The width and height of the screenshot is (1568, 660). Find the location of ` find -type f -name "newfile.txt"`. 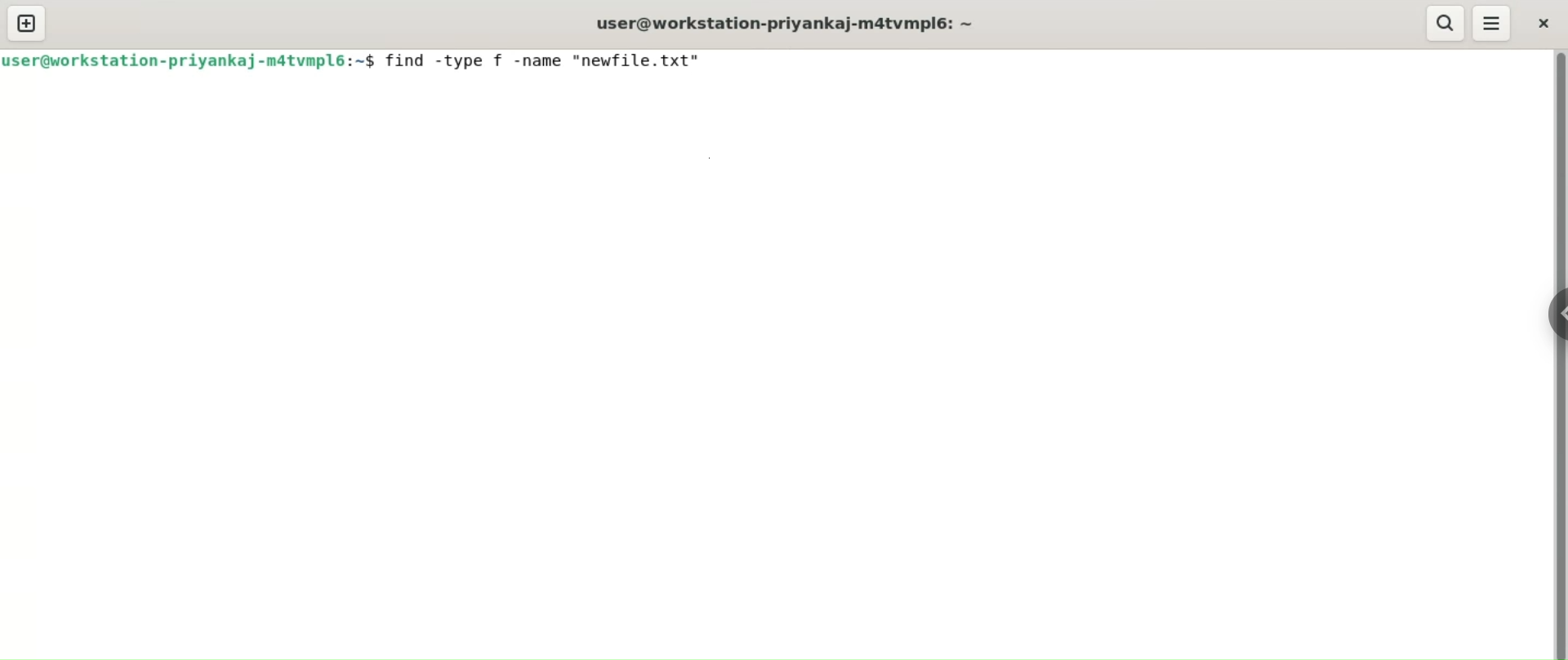

 find -type f -name "newfile.txt" is located at coordinates (549, 60).